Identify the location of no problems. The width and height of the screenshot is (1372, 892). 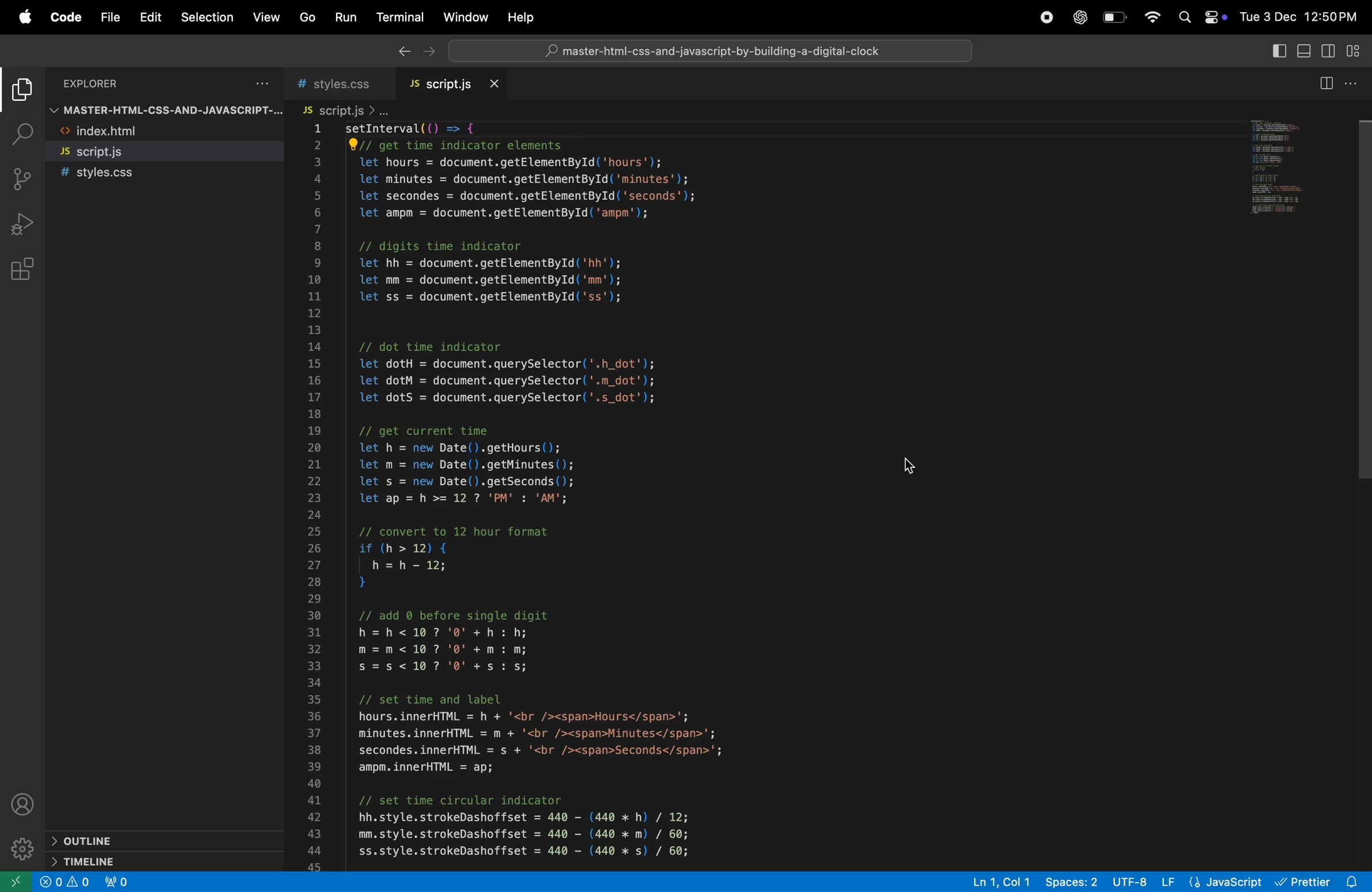
(63, 883).